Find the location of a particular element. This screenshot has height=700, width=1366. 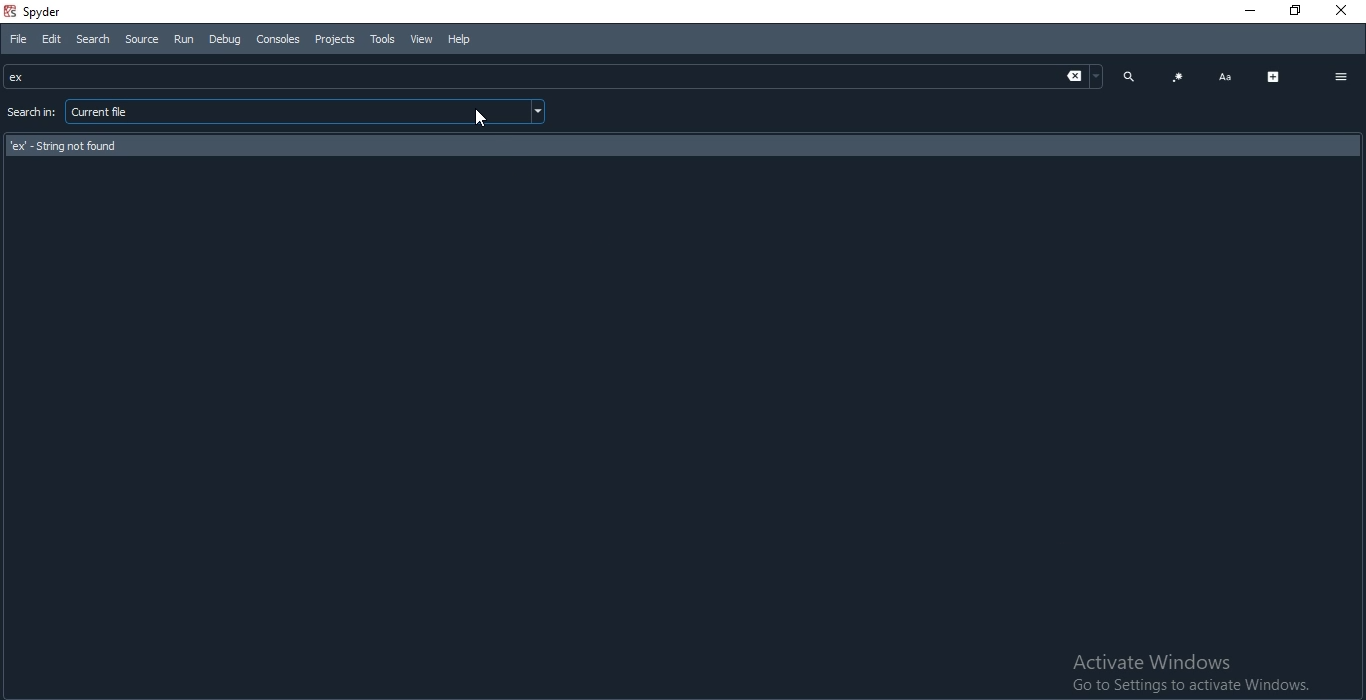

Edit is located at coordinates (52, 39).